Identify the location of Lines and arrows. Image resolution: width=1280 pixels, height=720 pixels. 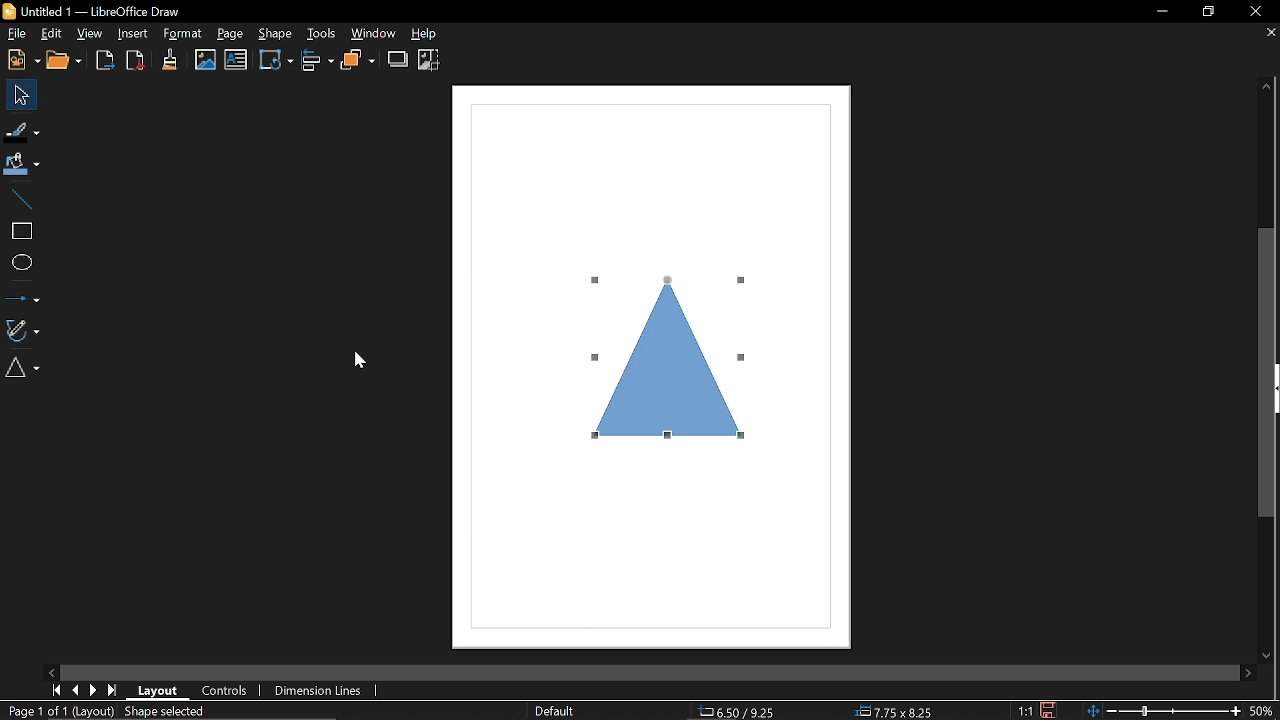
(22, 295).